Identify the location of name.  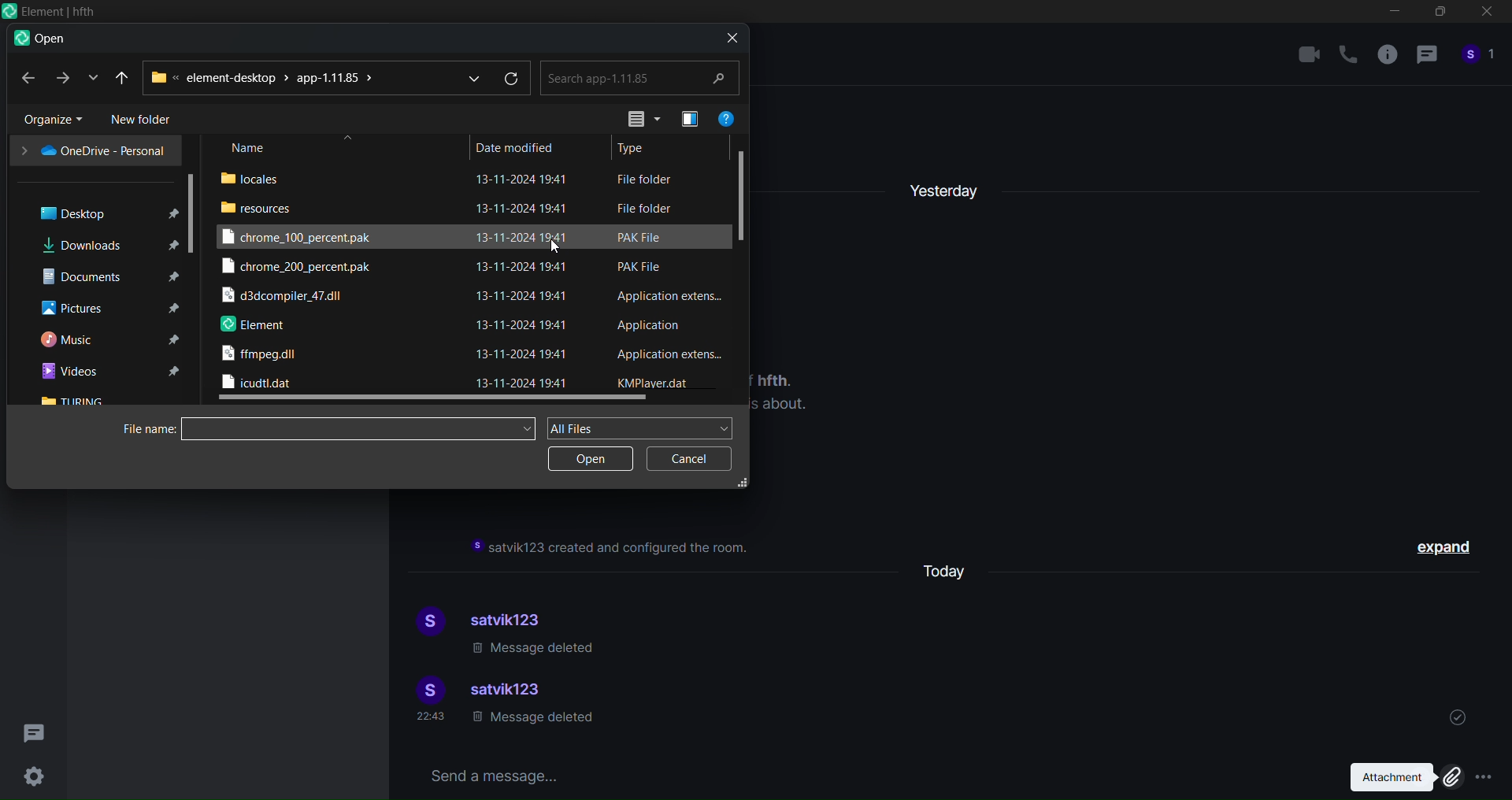
(250, 148).